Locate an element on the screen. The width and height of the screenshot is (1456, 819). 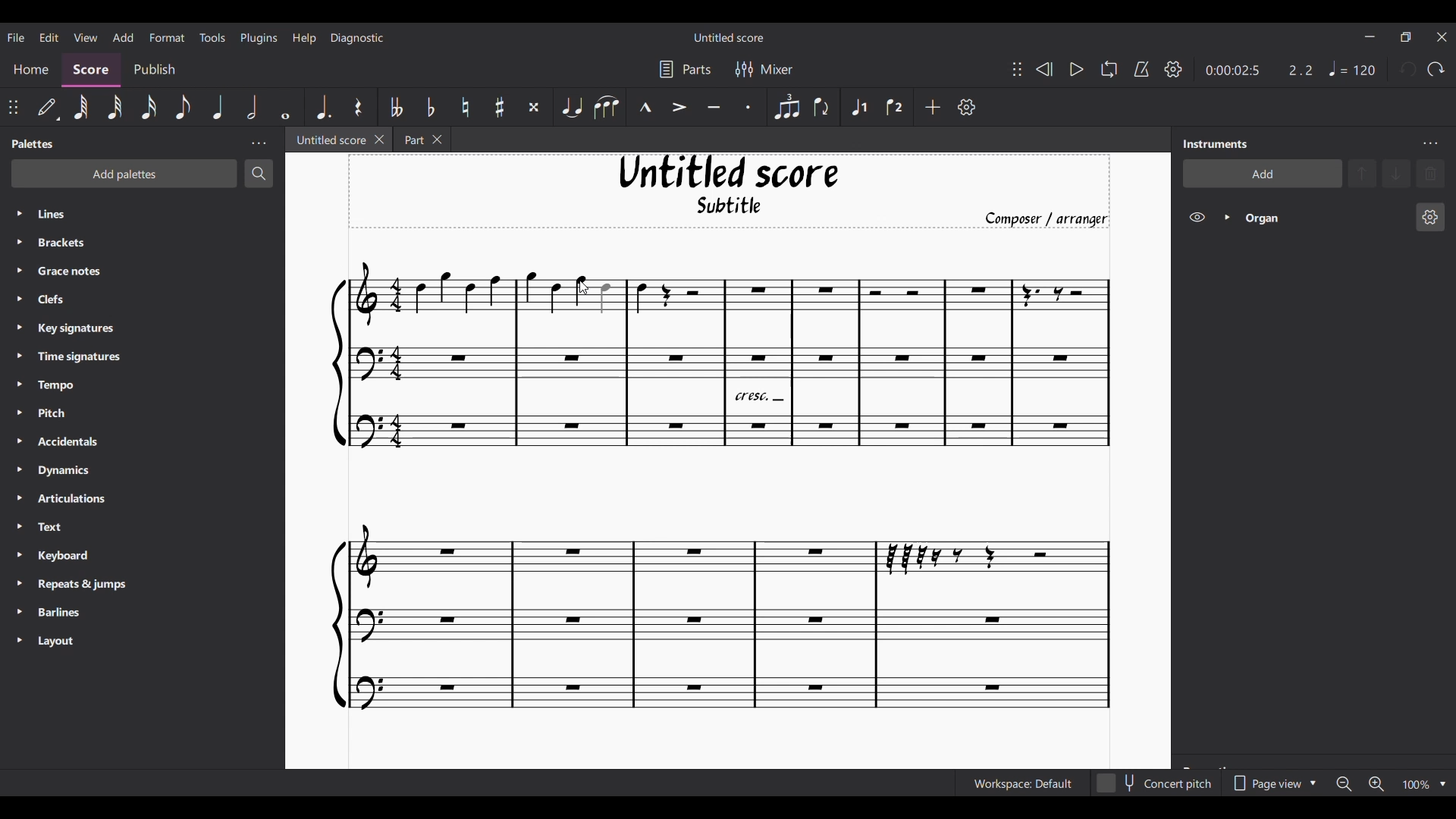
Customize toolbar is located at coordinates (967, 107).